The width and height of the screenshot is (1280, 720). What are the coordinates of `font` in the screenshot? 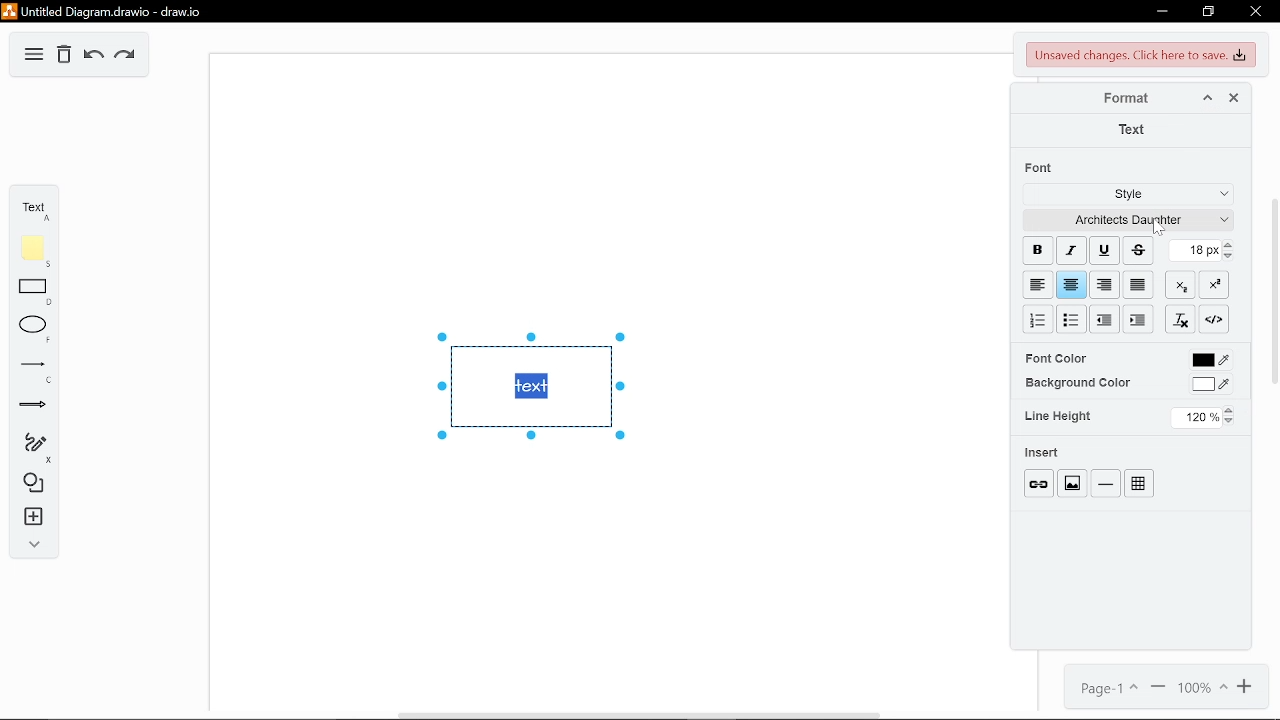 It's located at (1041, 168).